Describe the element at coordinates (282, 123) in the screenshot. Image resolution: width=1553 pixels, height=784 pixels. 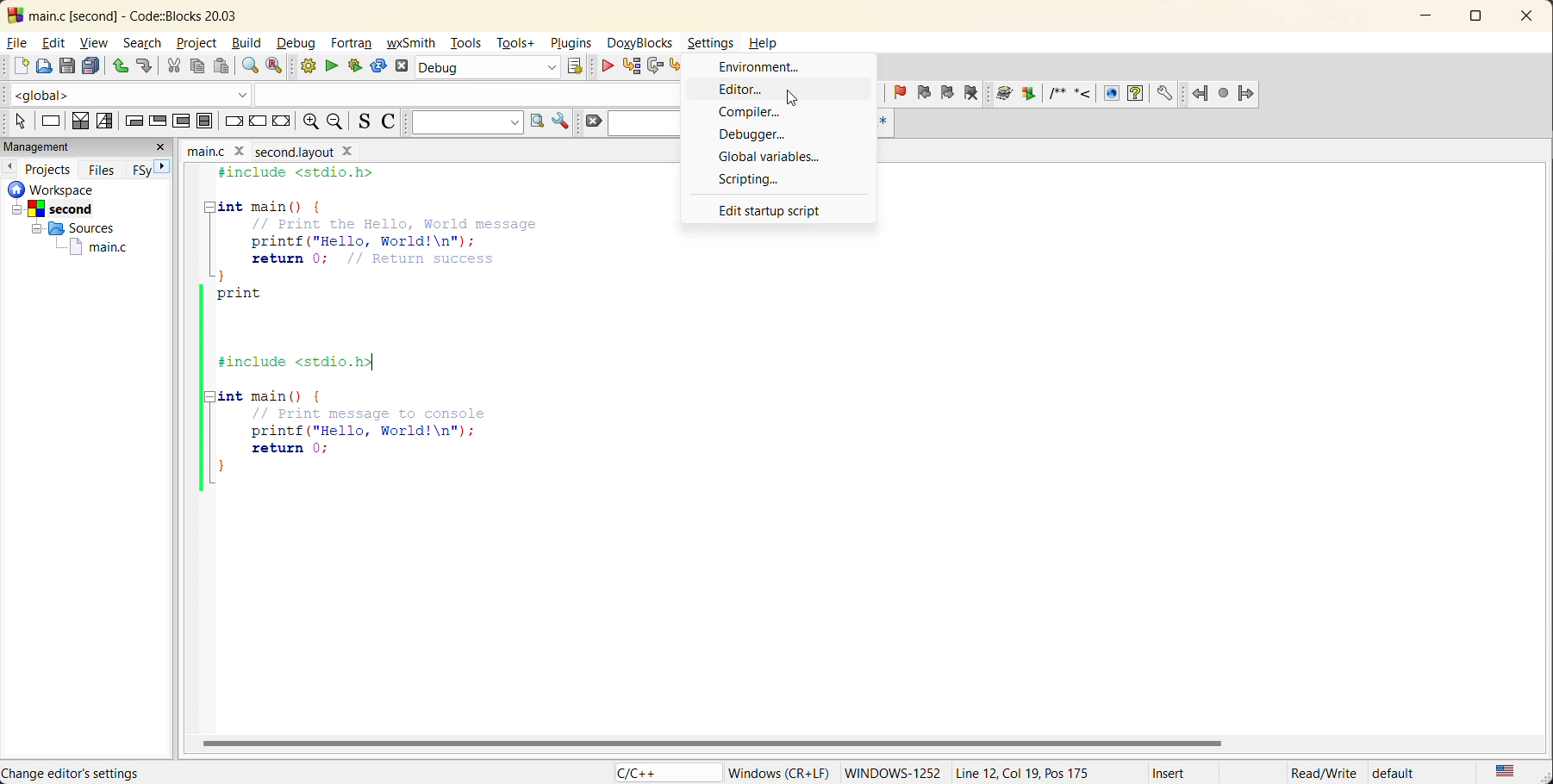
I see `return instruction` at that location.